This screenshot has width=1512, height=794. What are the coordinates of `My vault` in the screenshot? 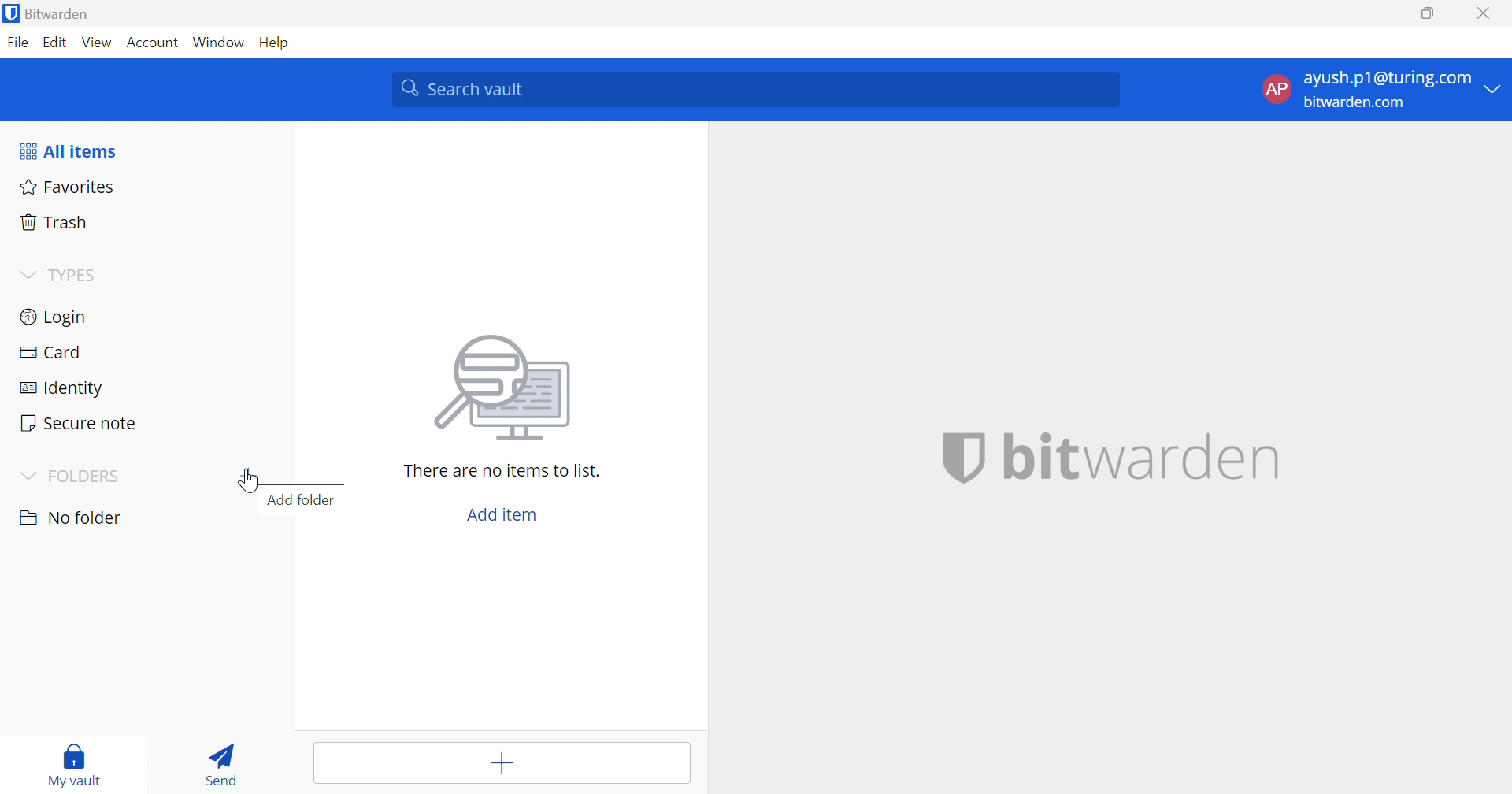 It's located at (70, 765).